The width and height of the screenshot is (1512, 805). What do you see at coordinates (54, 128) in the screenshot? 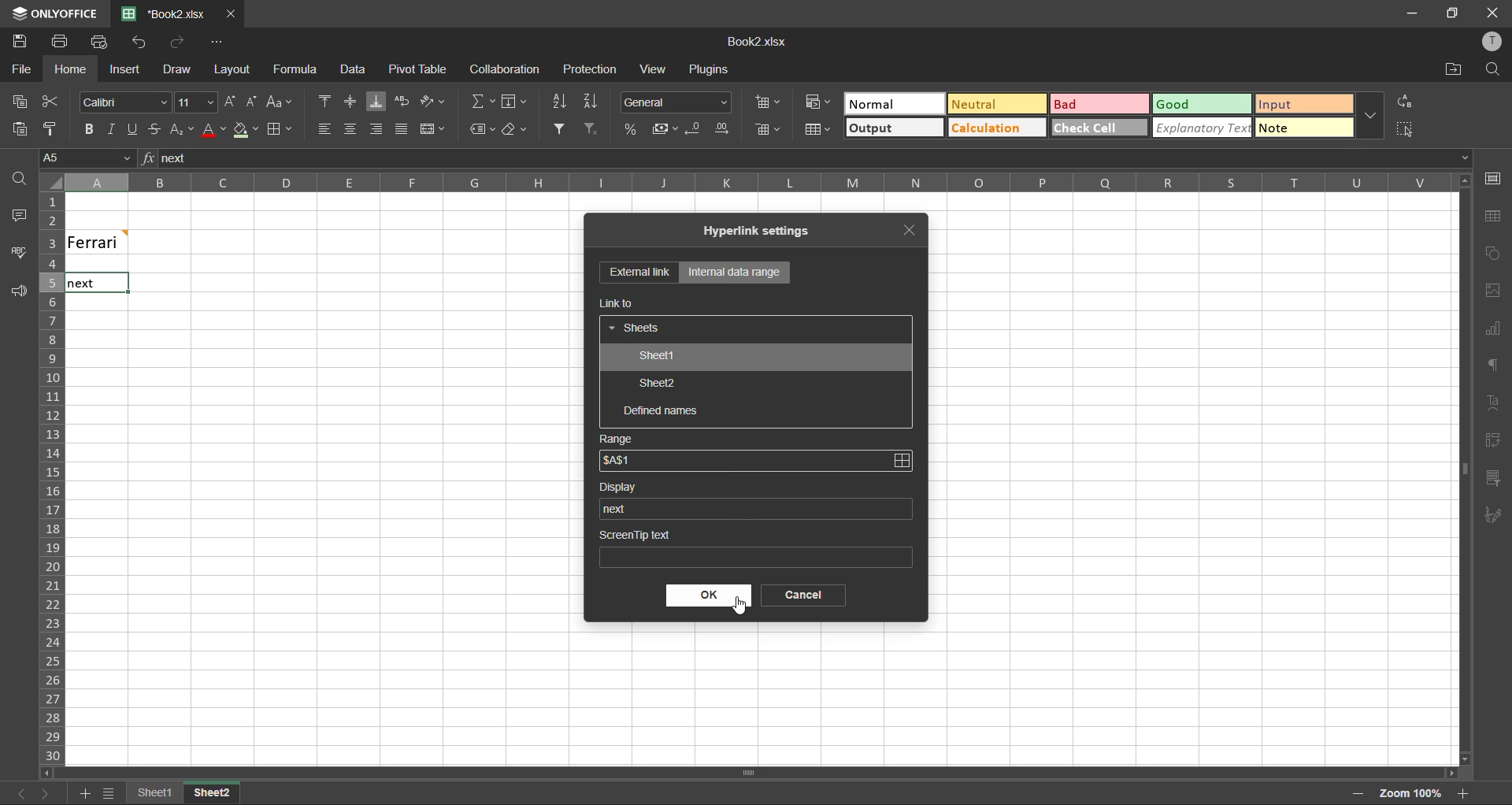
I see `copy style` at bounding box center [54, 128].